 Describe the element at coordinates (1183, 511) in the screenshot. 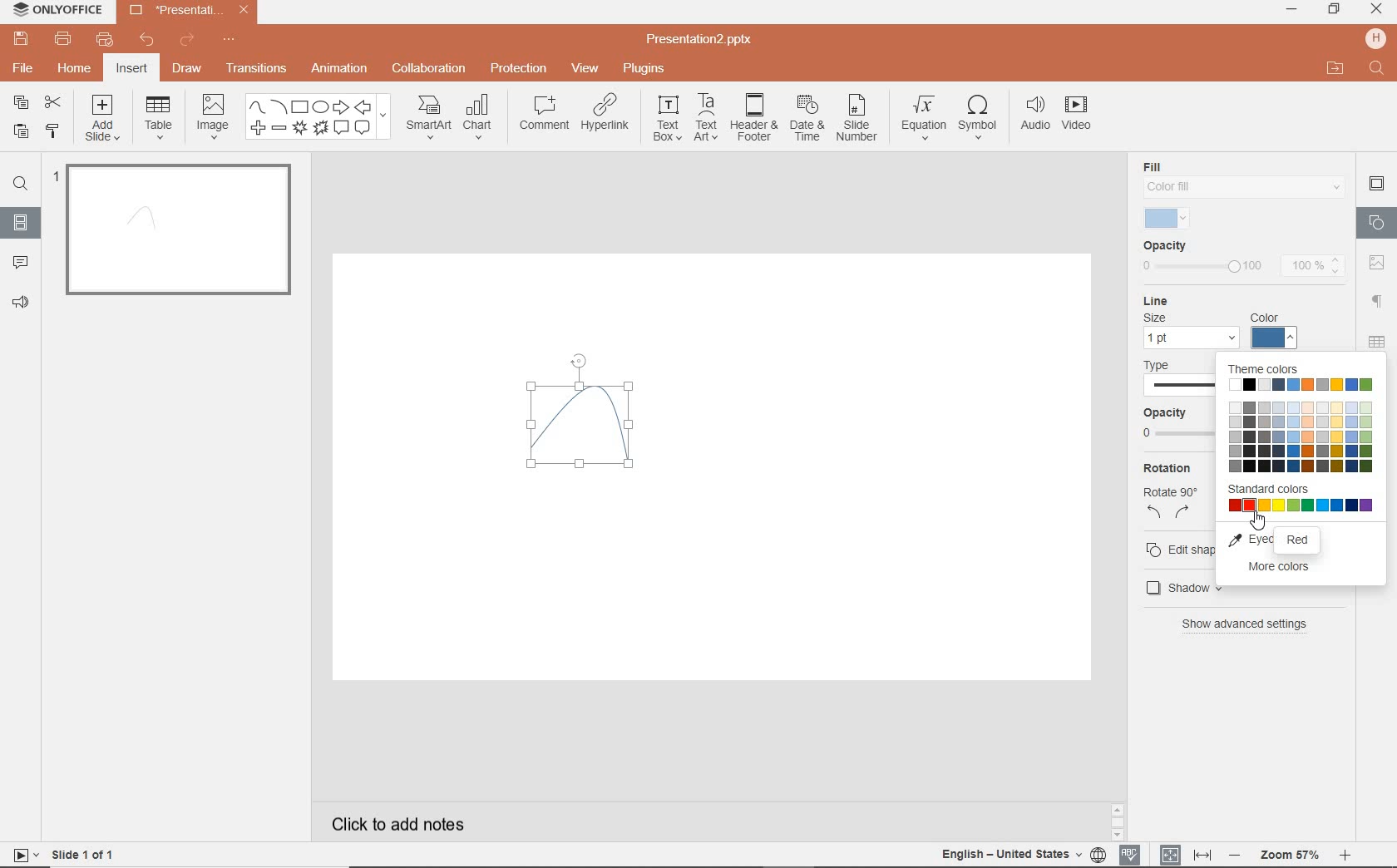

I see `rotate right` at that location.